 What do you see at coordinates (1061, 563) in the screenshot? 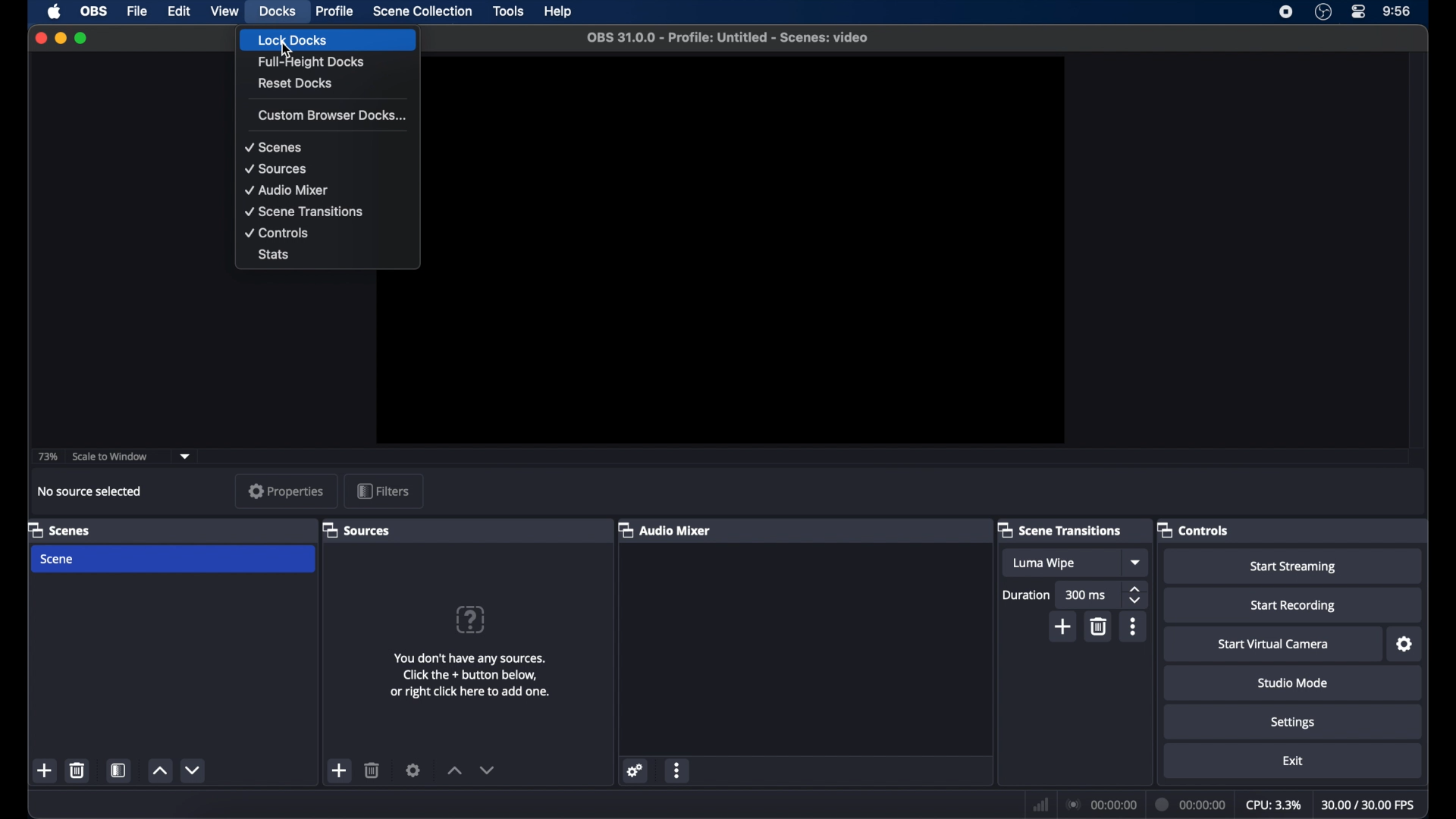
I see `luma wipe` at bounding box center [1061, 563].